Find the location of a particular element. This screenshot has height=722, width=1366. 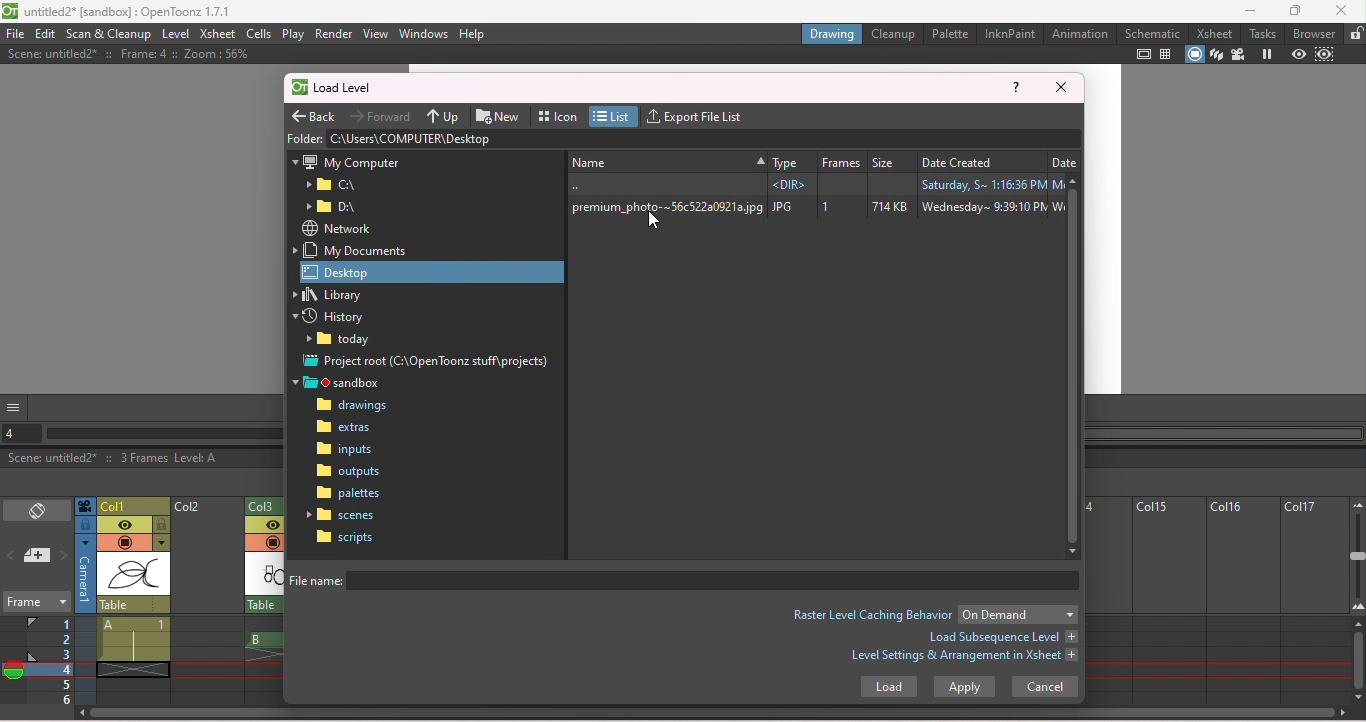

Cancel is located at coordinates (1045, 686).